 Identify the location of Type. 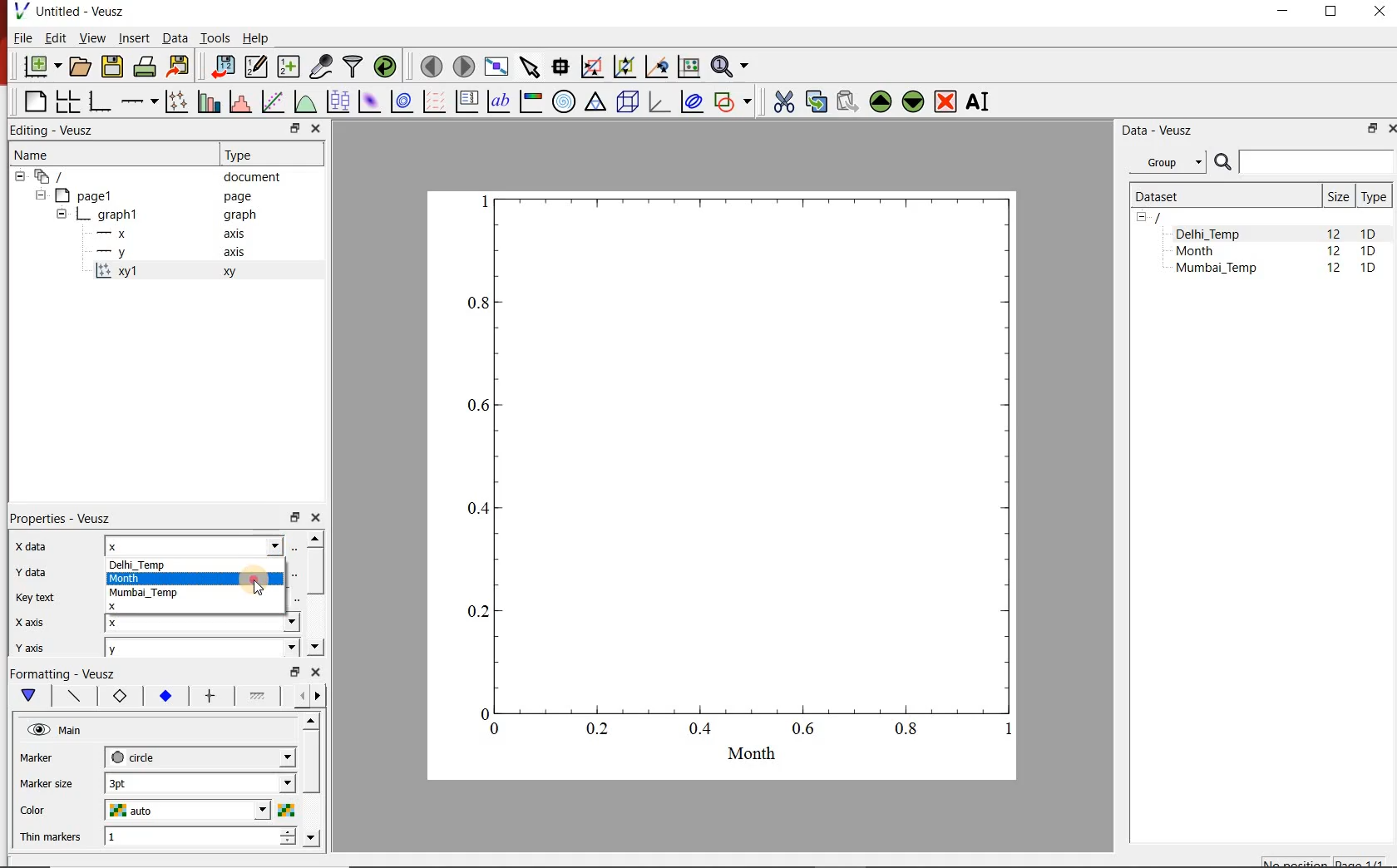
(245, 155).